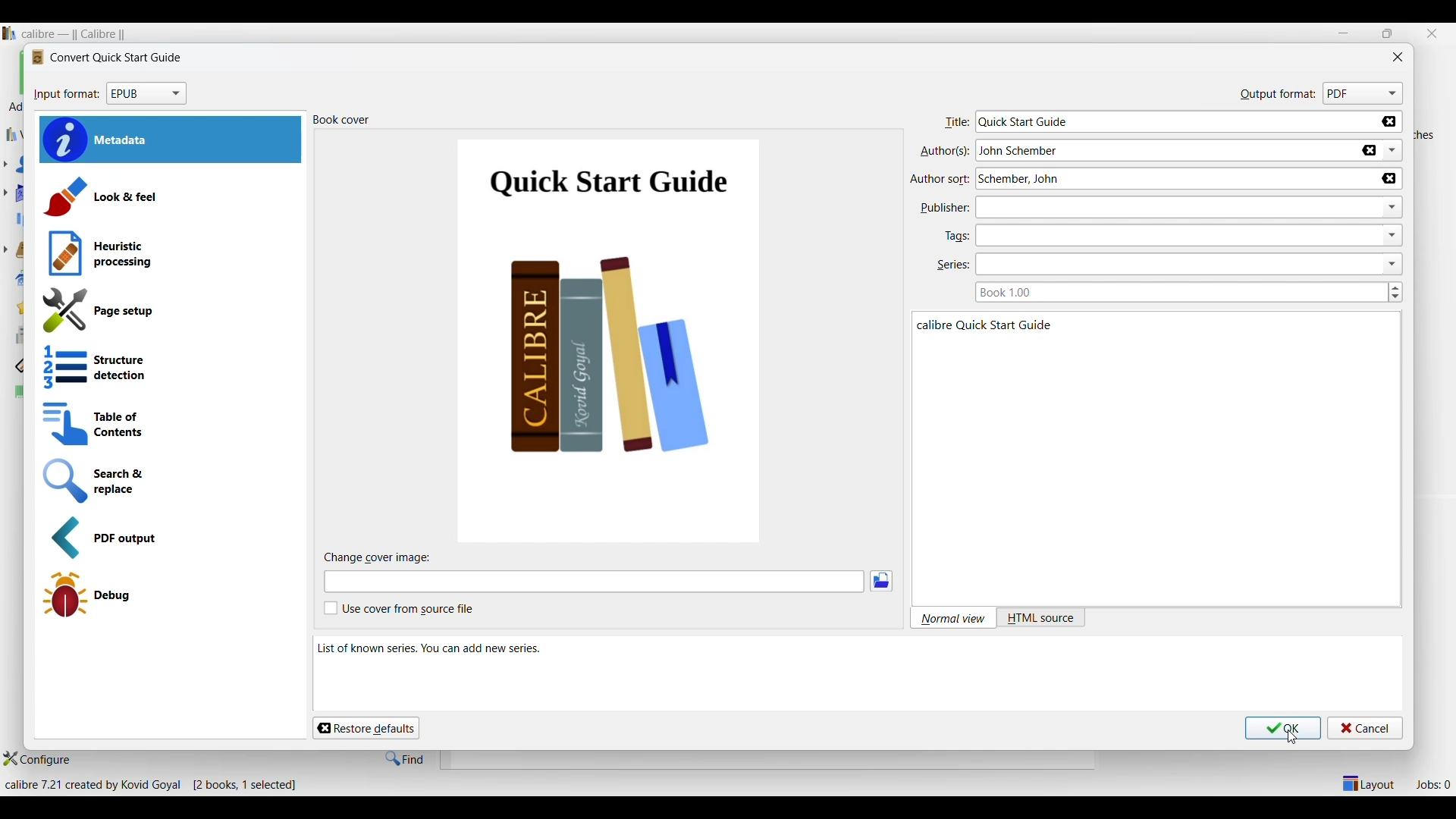 Image resolution: width=1456 pixels, height=819 pixels. What do you see at coordinates (167, 367) in the screenshot?
I see `Structure detection` at bounding box center [167, 367].